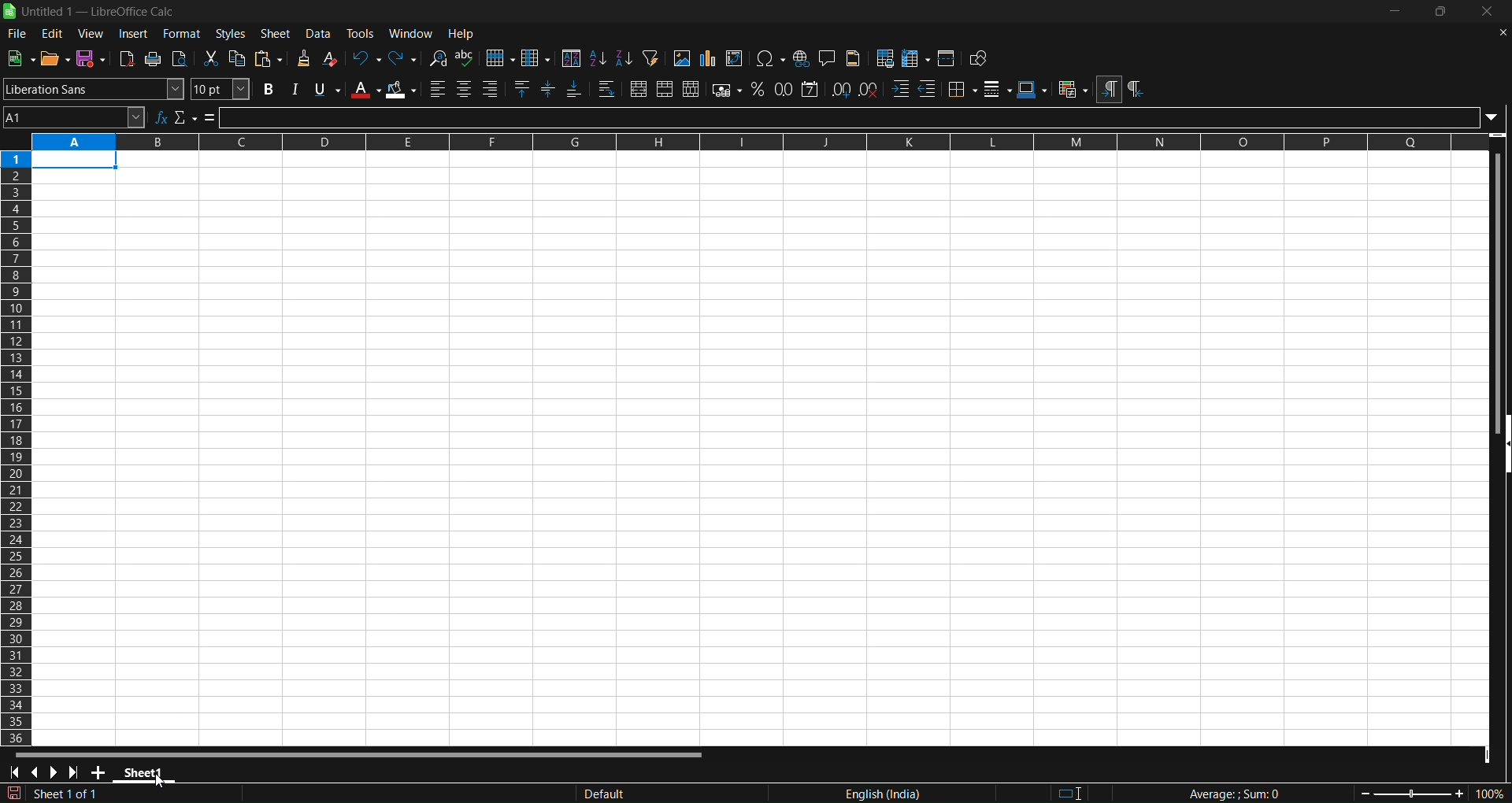 Image resolution: width=1512 pixels, height=803 pixels. What do you see at coordinates (962, 88) in the screenshot?
I see `border` at bounding box center [962, 88].